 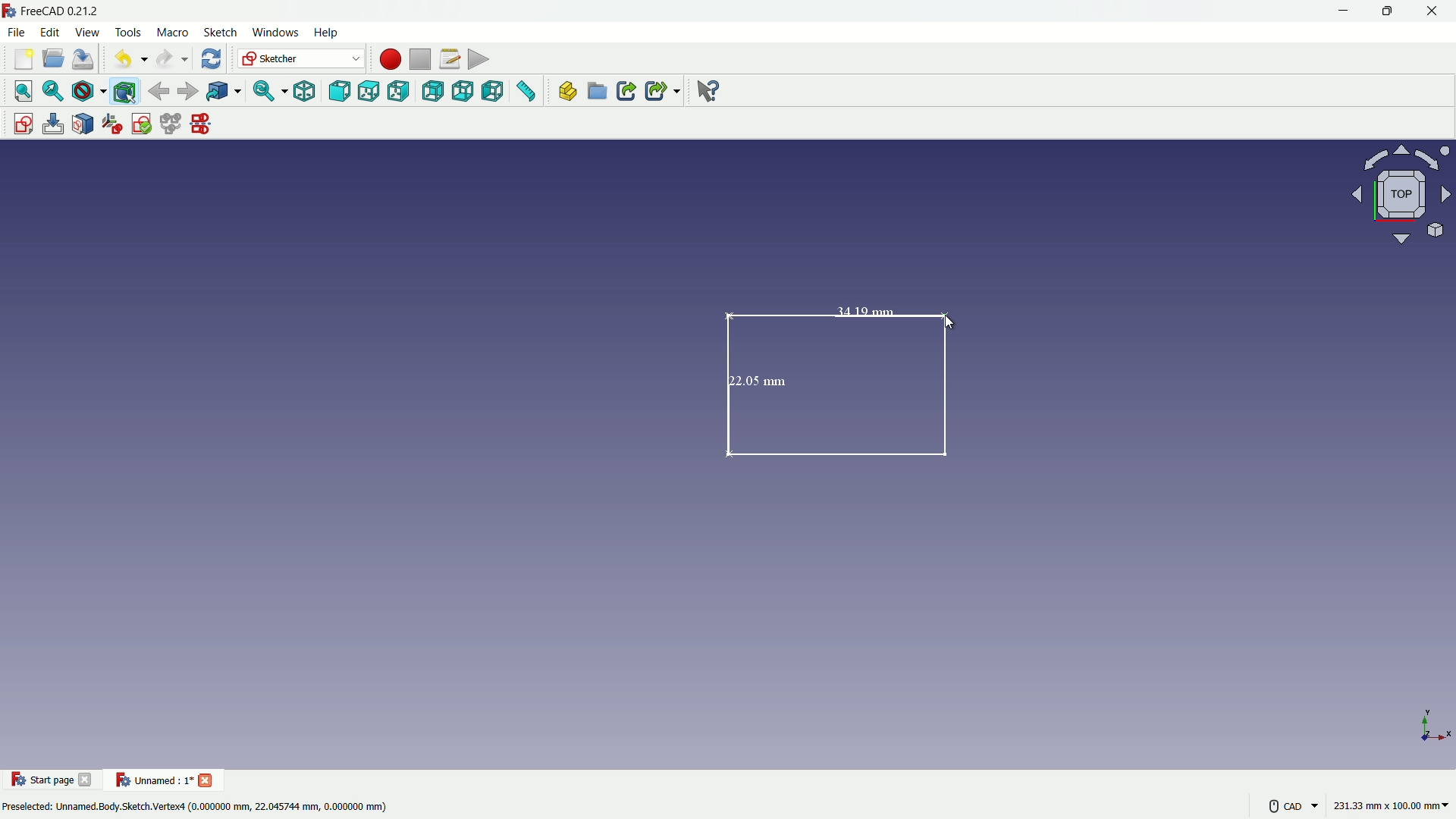 I want to click on macro, so click(x=171, y=33).